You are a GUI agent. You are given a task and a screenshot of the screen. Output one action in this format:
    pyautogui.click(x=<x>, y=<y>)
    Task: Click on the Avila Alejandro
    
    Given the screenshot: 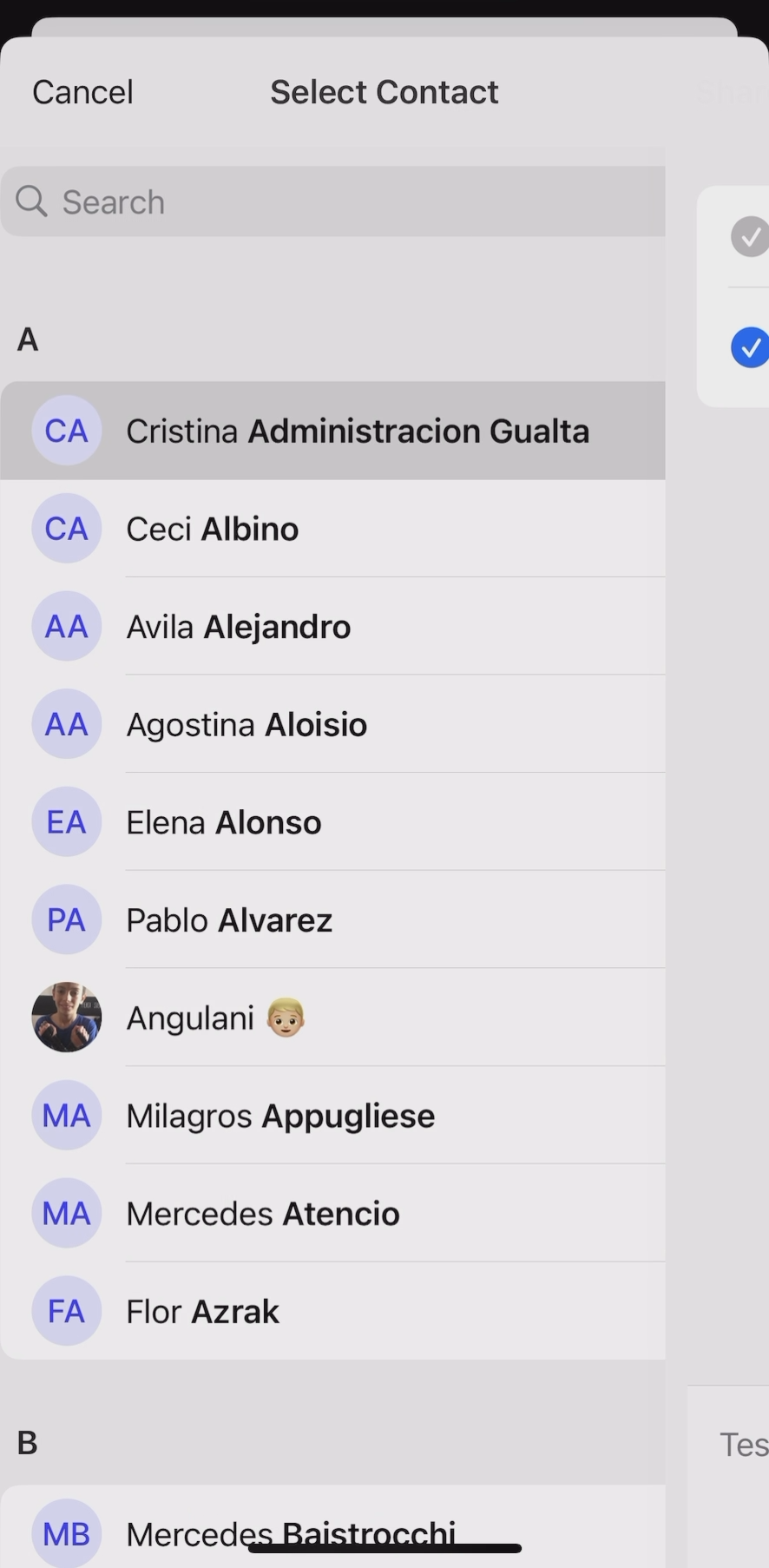 What is the action you would take?
    pyautogui.click(x=200, y=630)
    